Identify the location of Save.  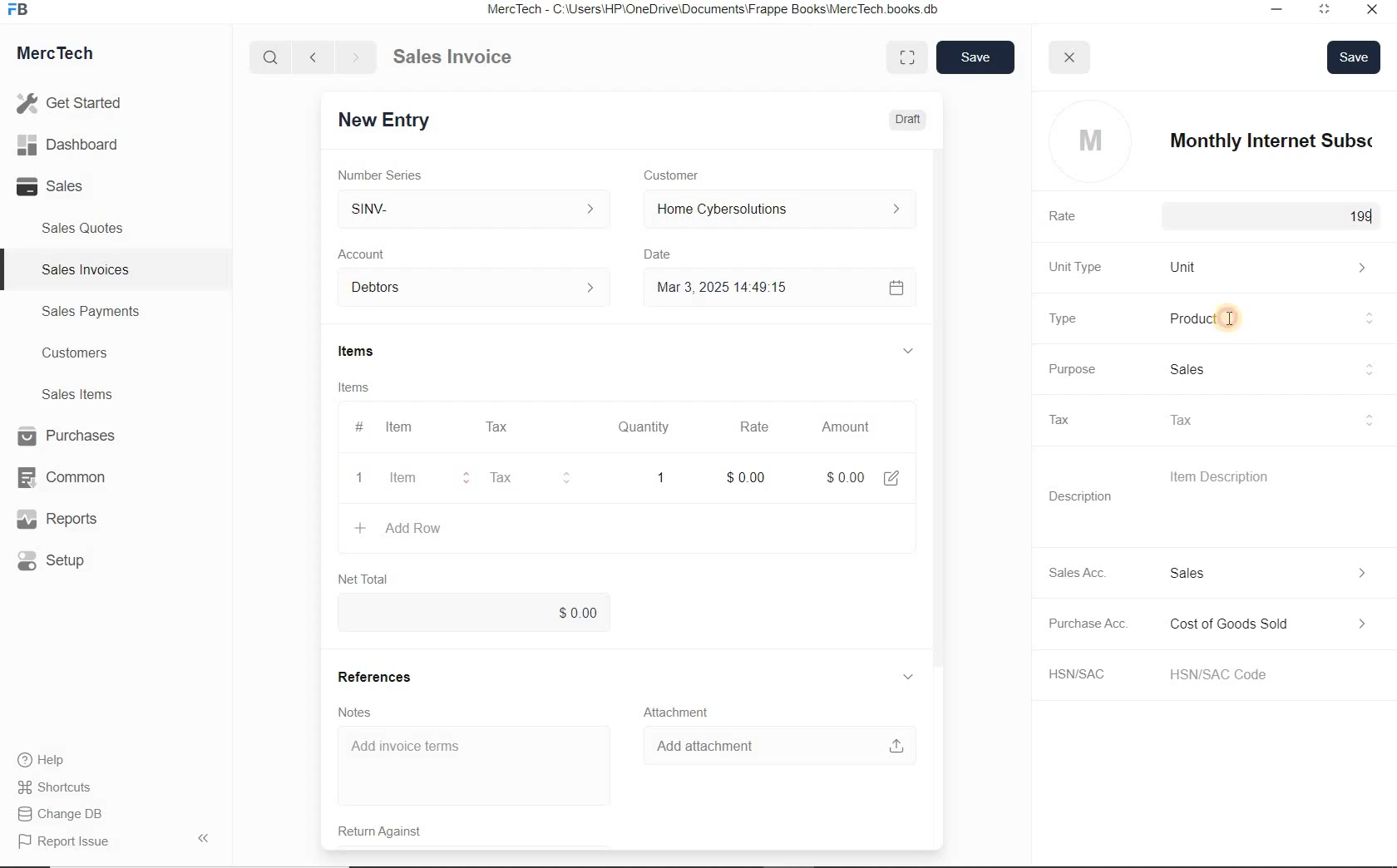
(1355, 57).